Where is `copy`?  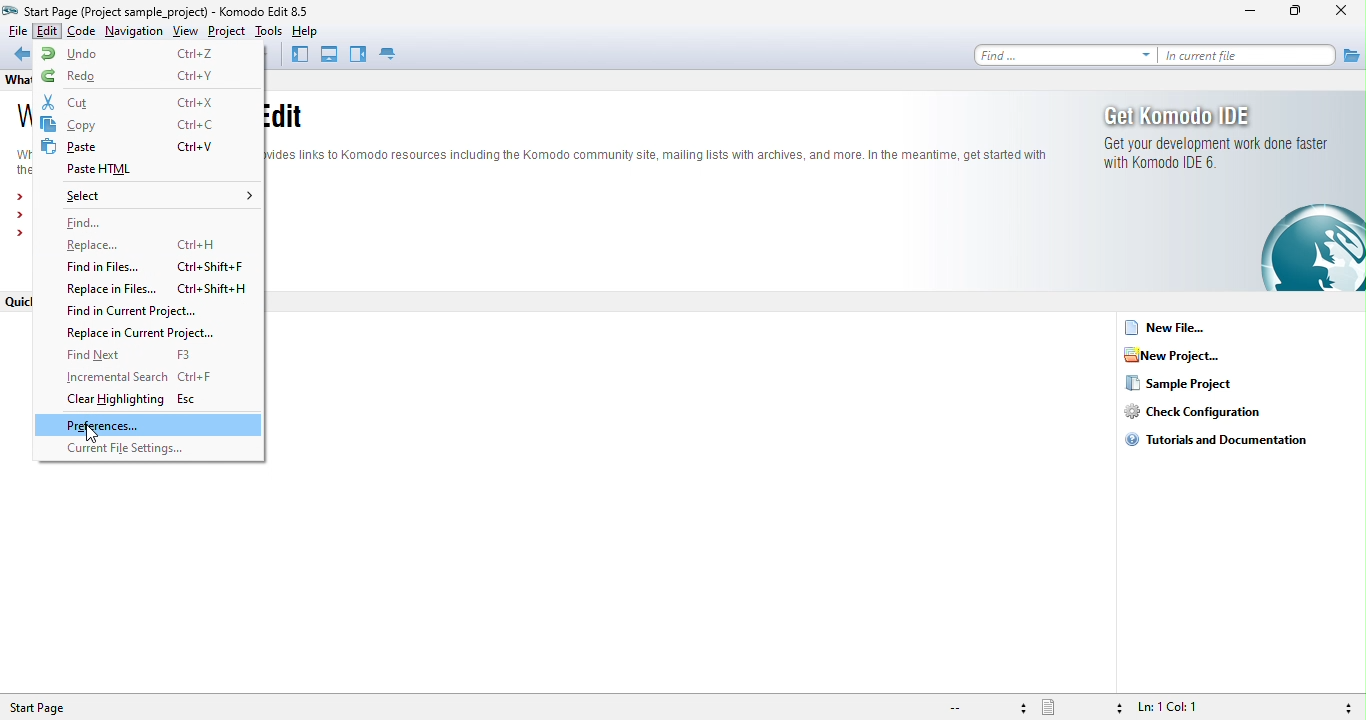
copy is located at coordinates (145, 125).